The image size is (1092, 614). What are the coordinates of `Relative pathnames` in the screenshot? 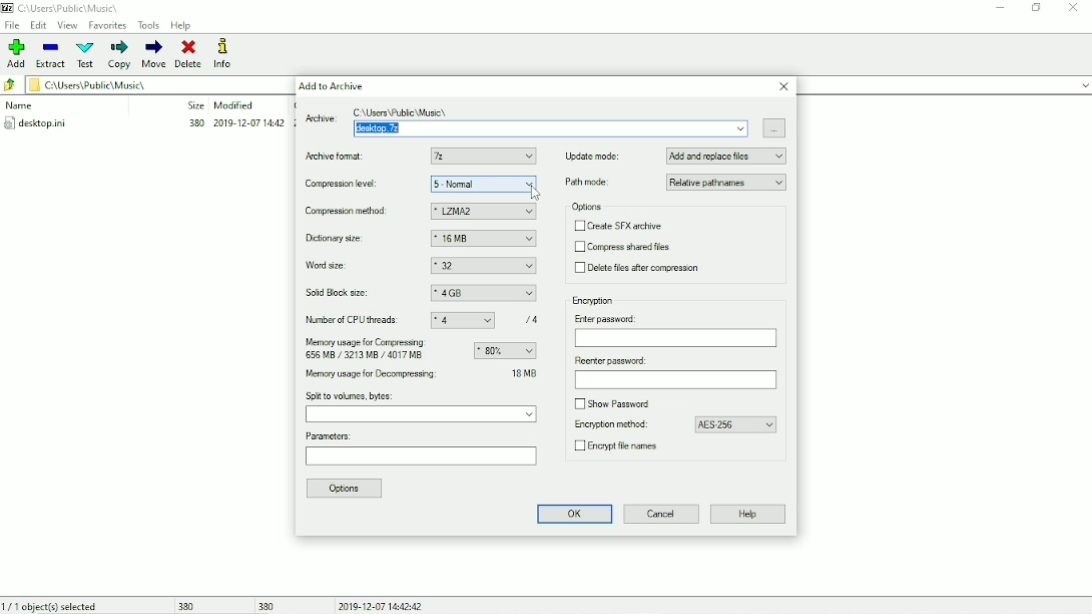 It's located at (727, 182).